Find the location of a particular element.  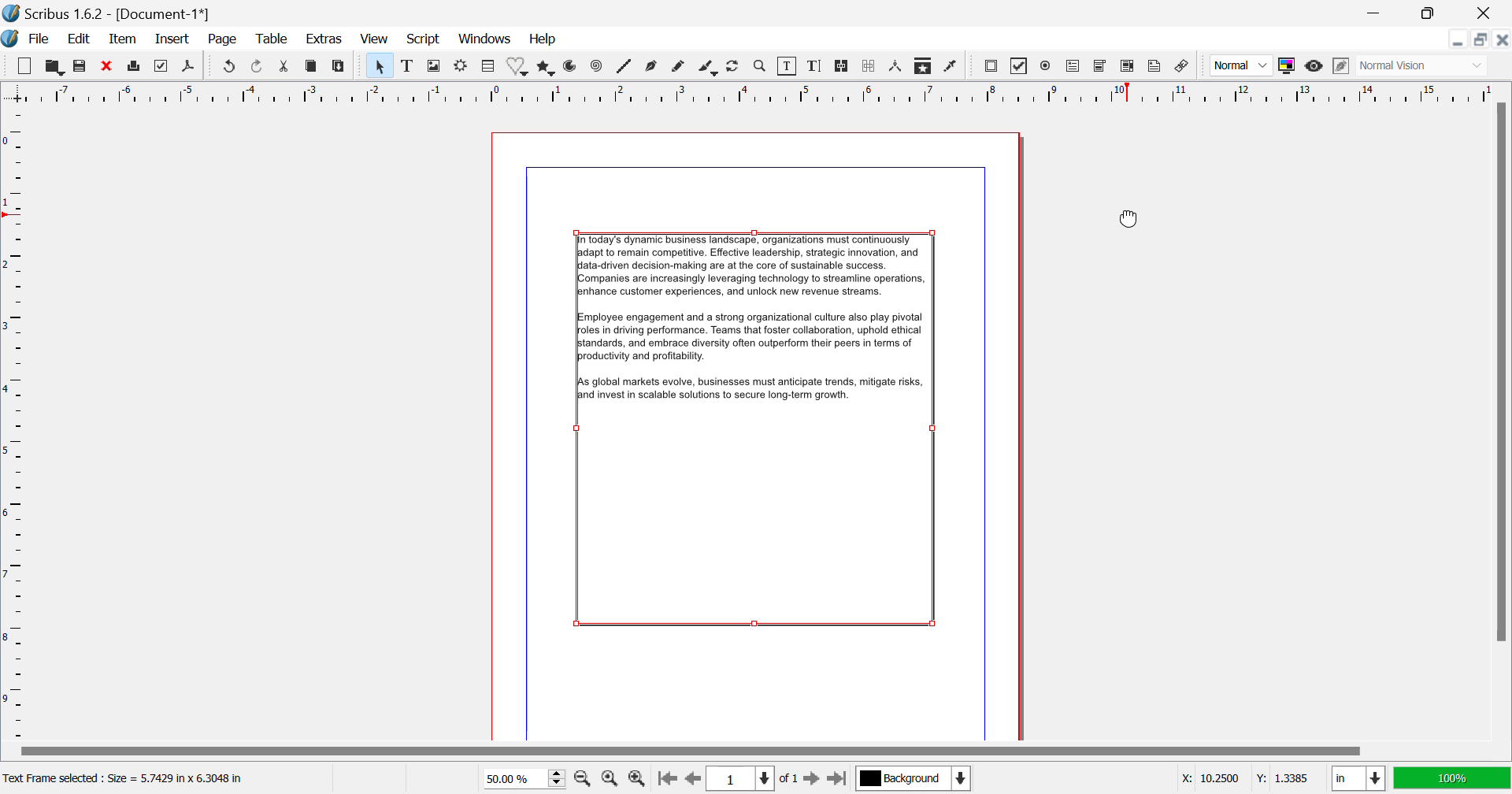

Save is located at coordinates (82, 66).